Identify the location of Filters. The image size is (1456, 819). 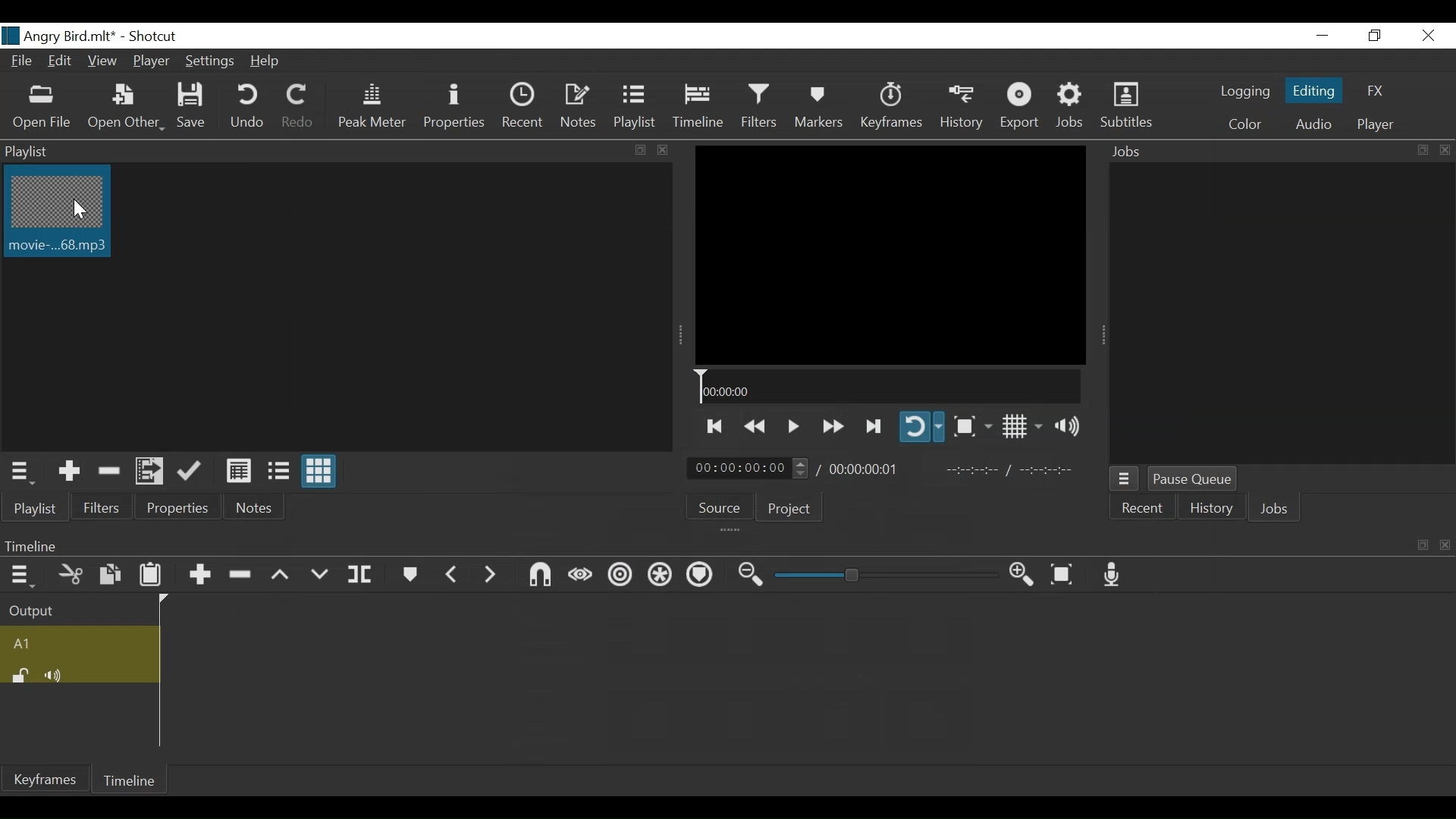
(759, 106).